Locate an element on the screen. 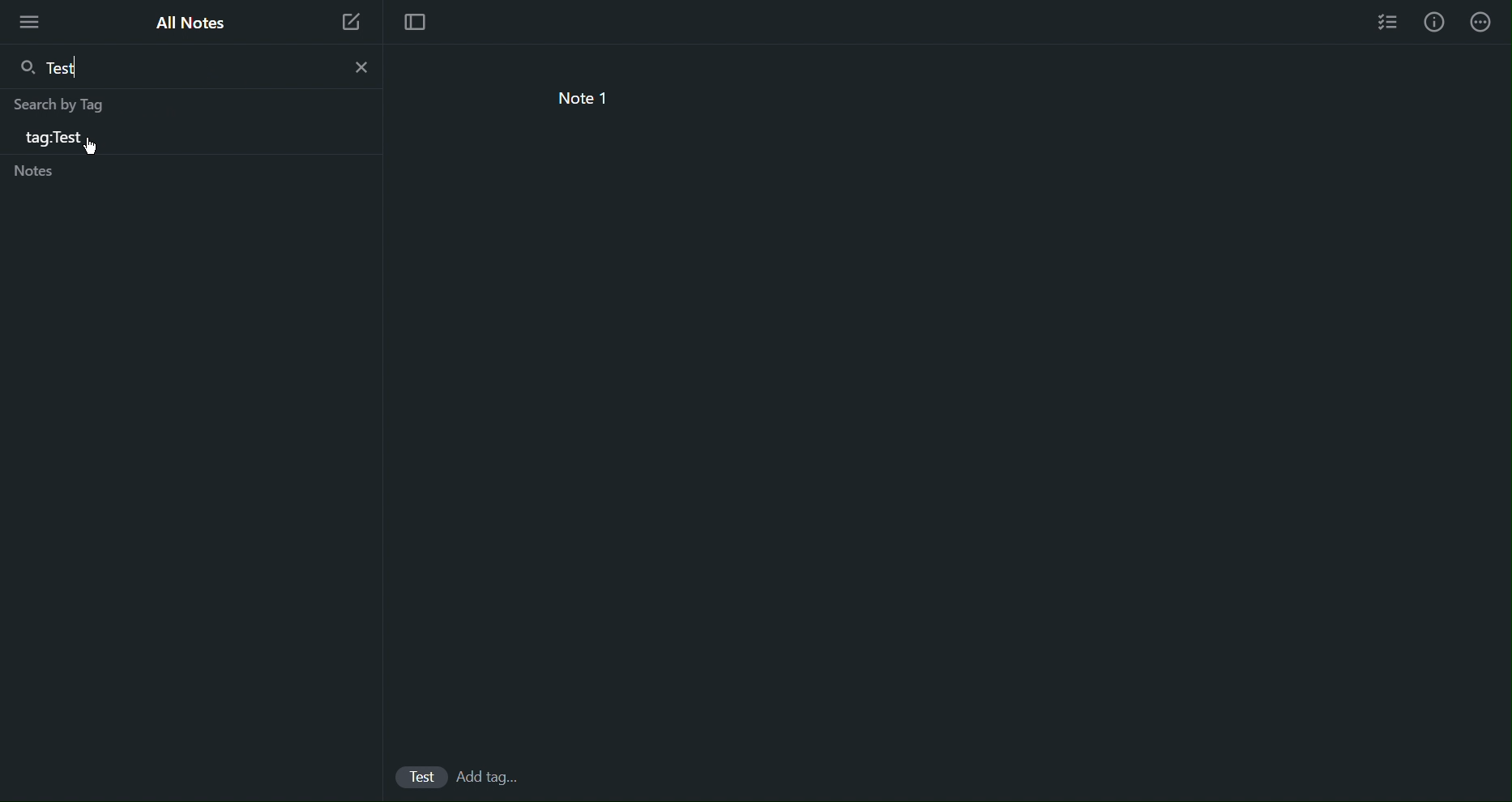  add Tags is located at coordinates (491, 779).